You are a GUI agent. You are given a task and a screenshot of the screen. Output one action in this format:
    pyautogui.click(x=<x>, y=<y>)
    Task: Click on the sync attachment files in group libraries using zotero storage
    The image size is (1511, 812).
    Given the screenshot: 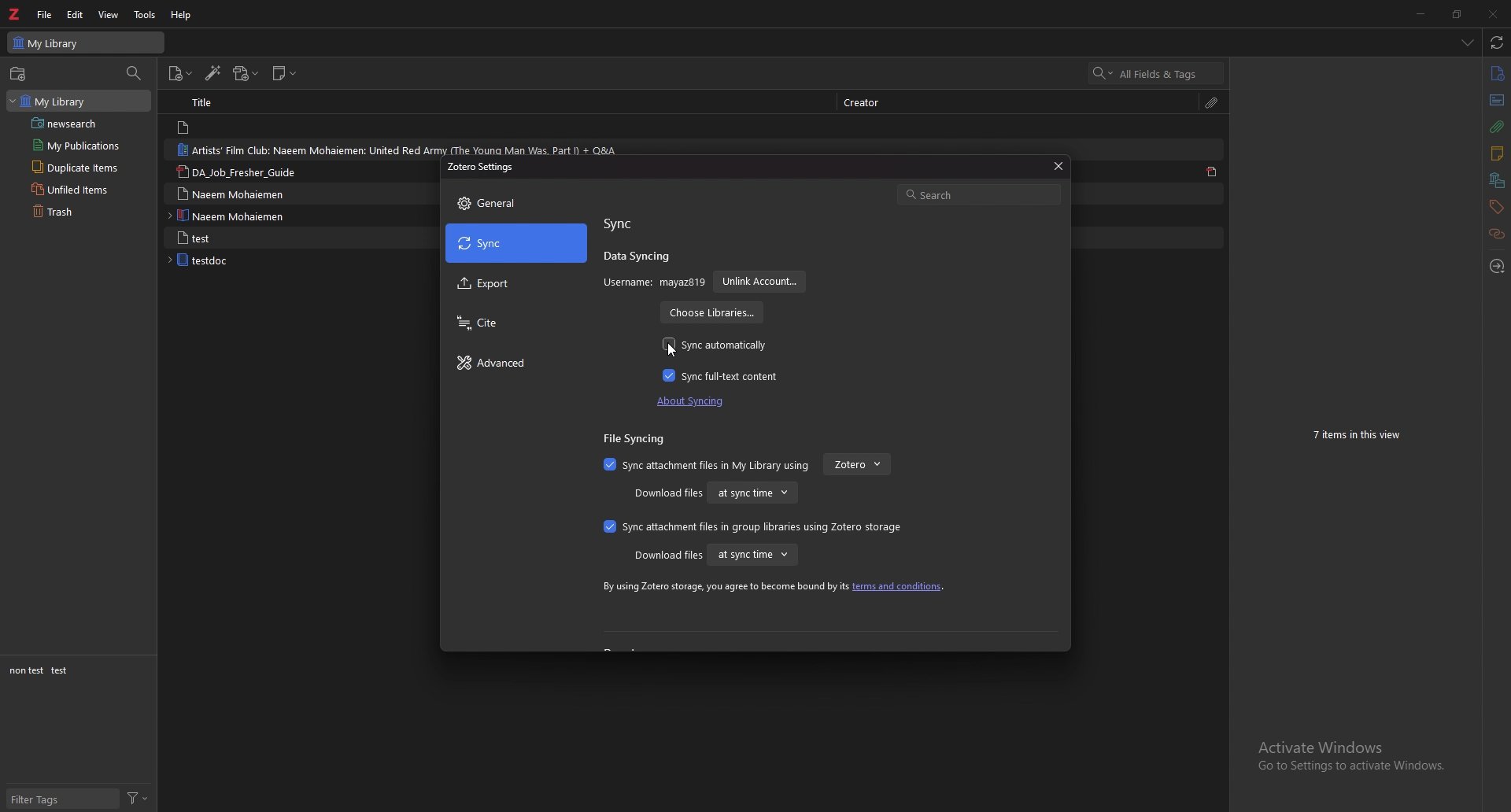 What is the action you would take?
    pyautogui.click(x=749, y=526)
    